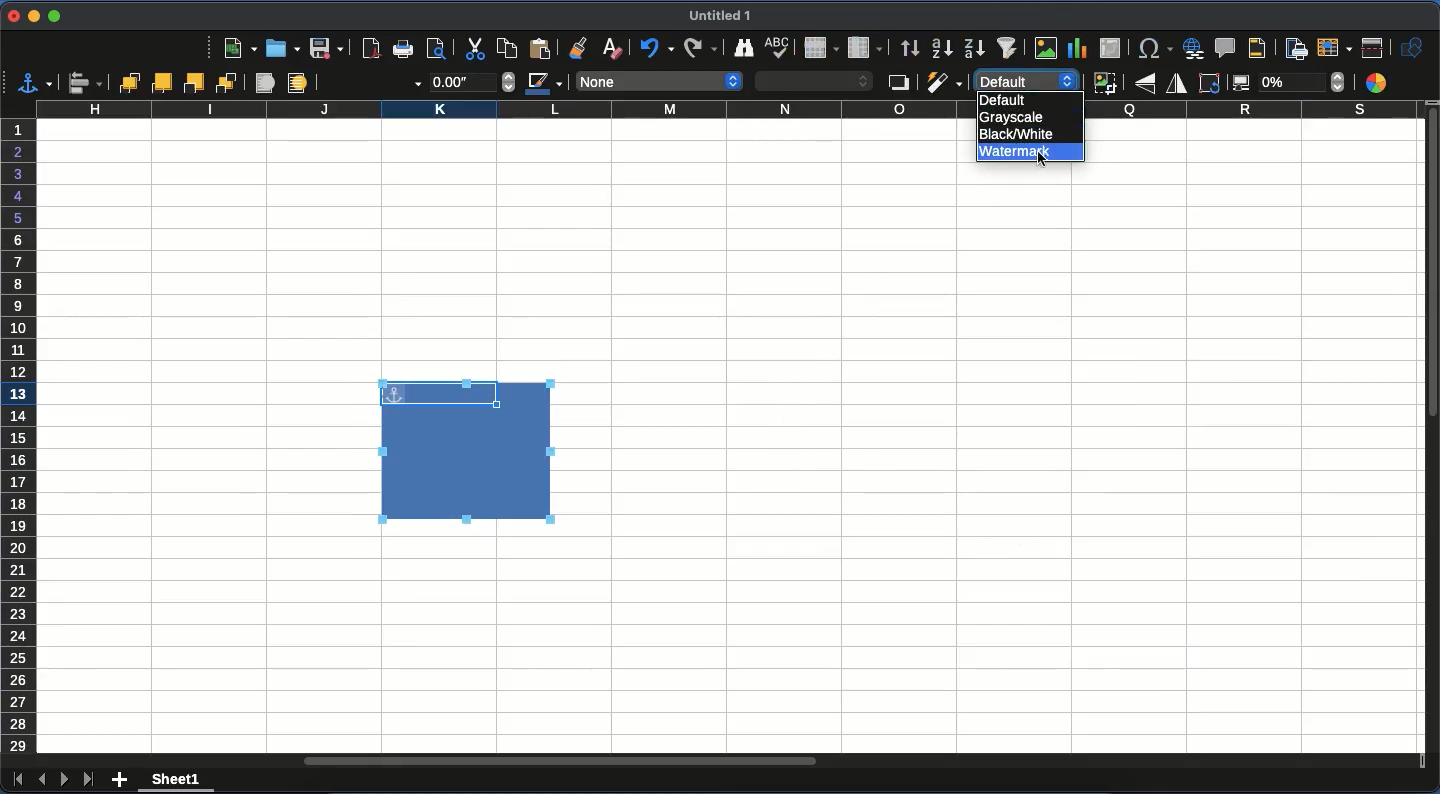 The height and width of the screenshot is (794, 1440). Describe the element at coordinates (1005, 99) in the screenshot. I see `default` at that location.